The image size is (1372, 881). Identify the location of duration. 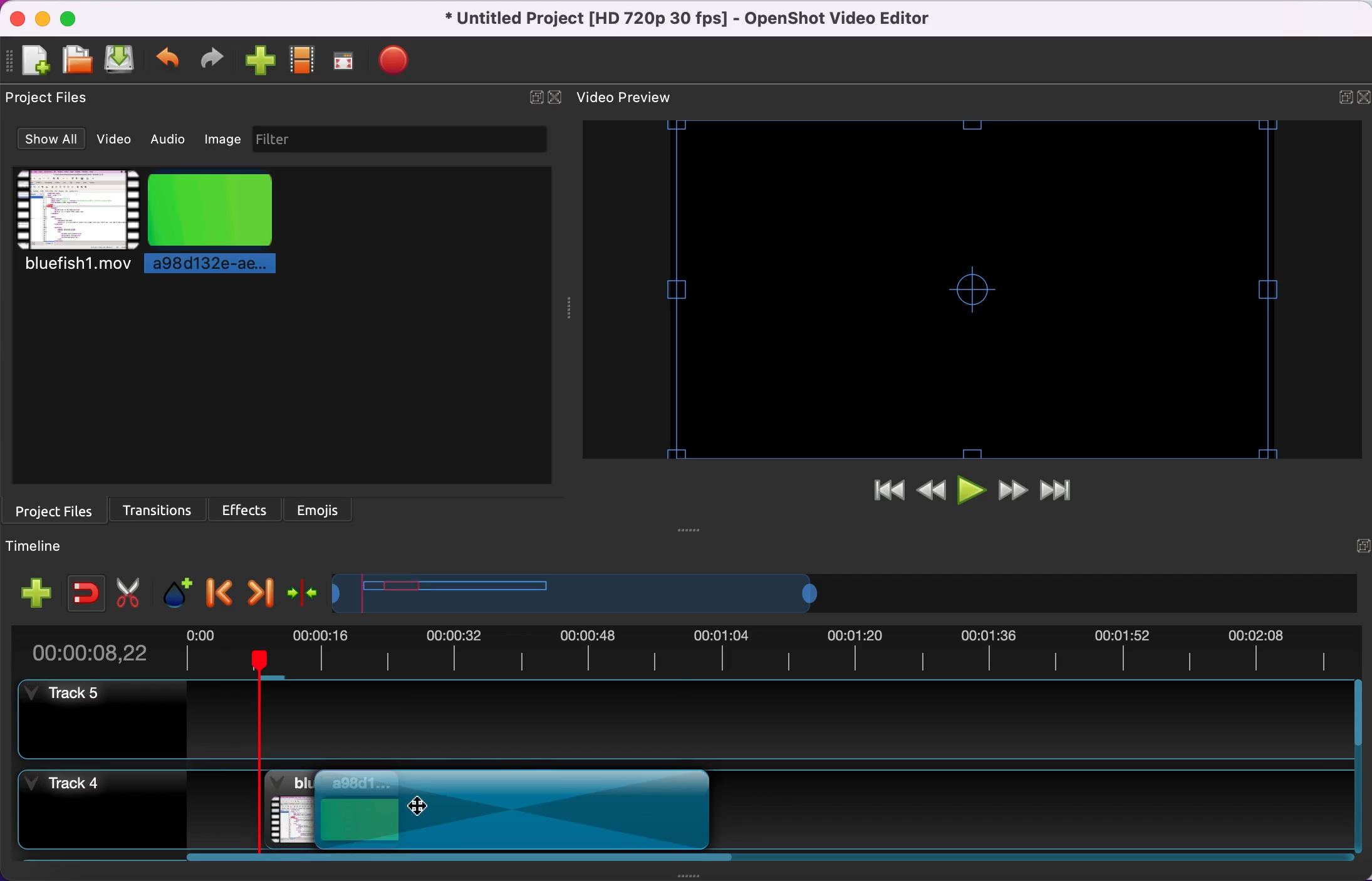
(695, 649).